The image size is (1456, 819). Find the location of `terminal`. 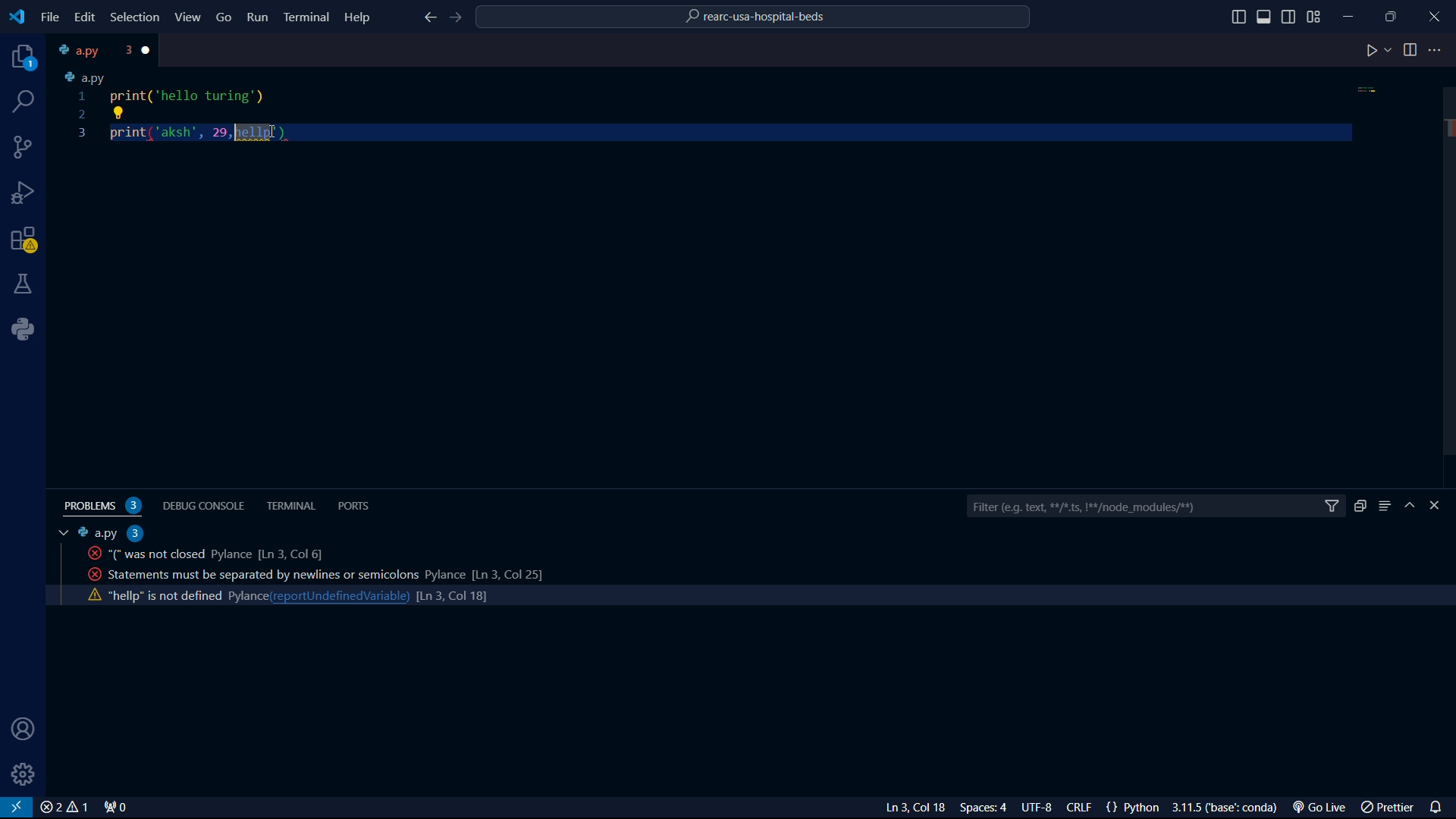

terminal is located at coordinates (292, 506).